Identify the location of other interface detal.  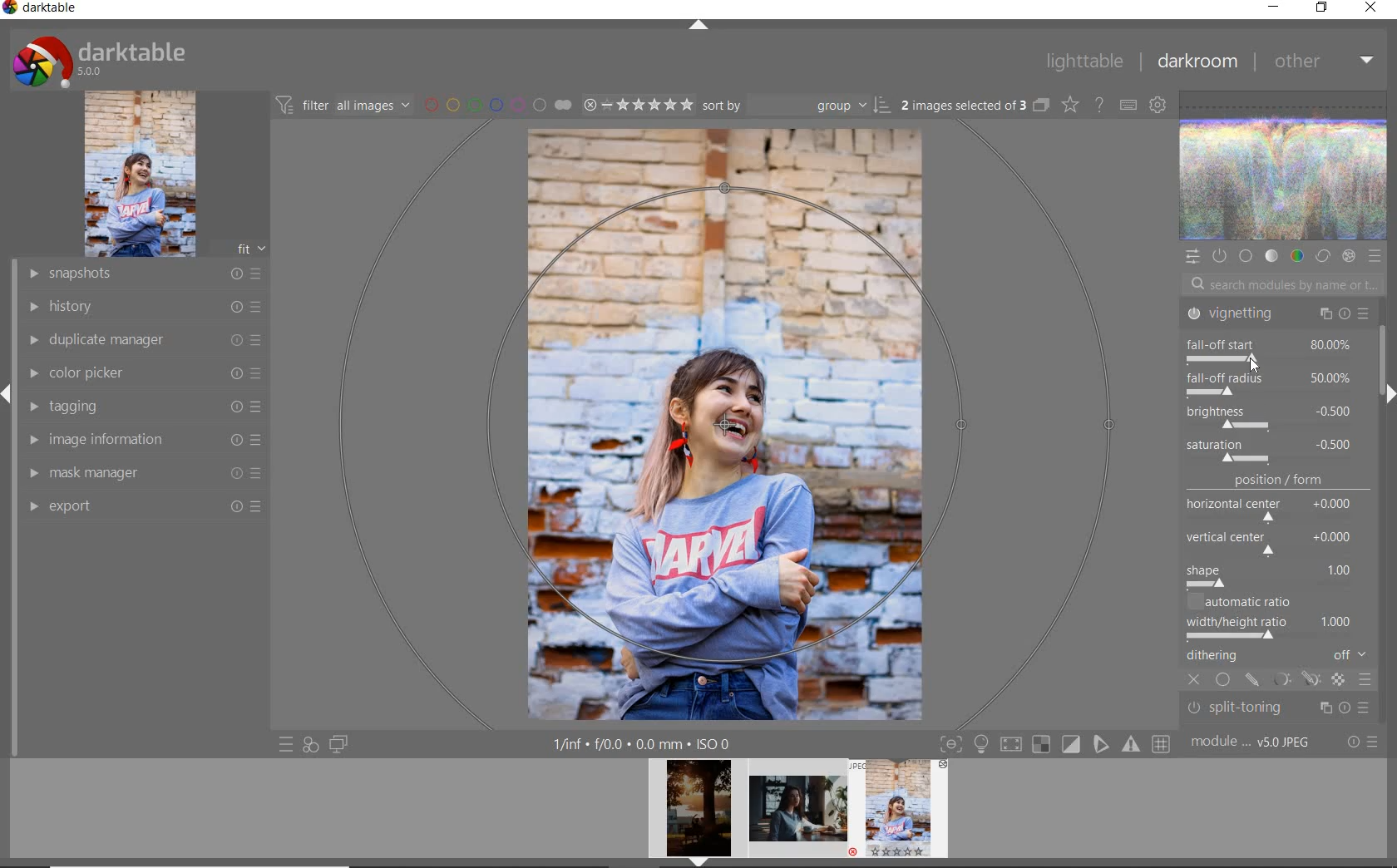
(644, 744).